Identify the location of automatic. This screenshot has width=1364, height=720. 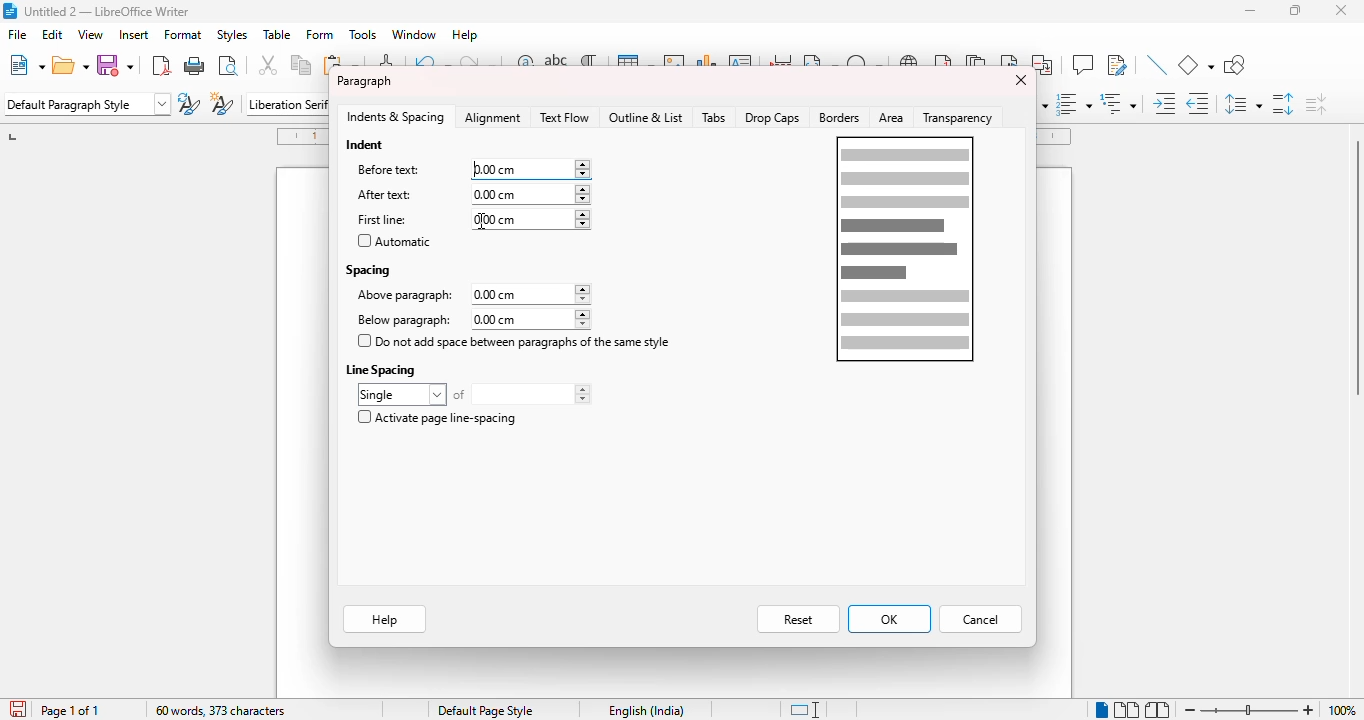
(394, 241).